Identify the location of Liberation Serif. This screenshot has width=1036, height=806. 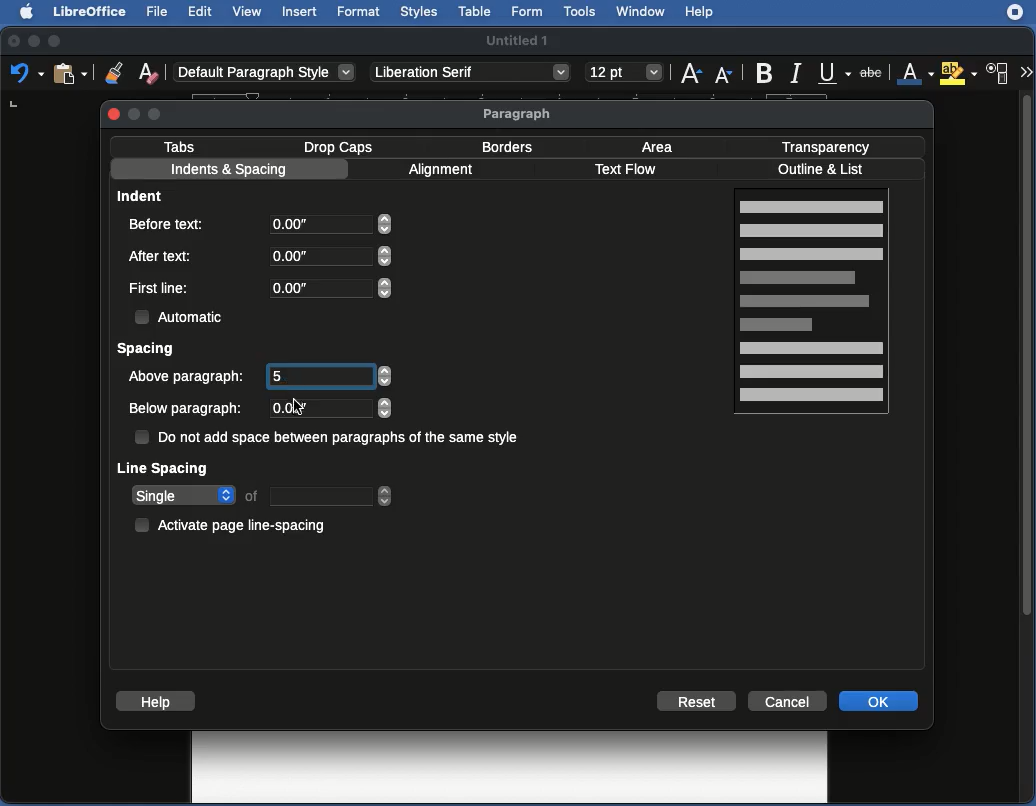
(470, 73).